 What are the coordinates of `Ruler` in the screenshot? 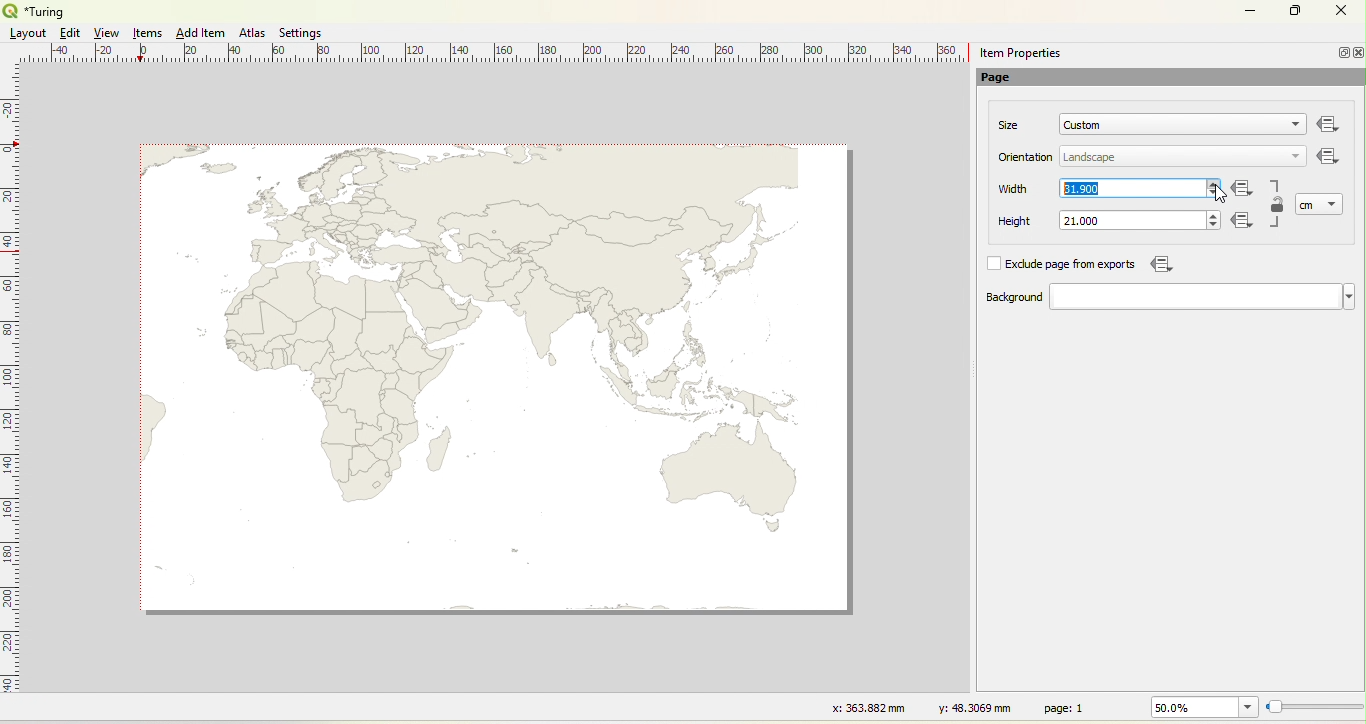 It's located at (501, 54).